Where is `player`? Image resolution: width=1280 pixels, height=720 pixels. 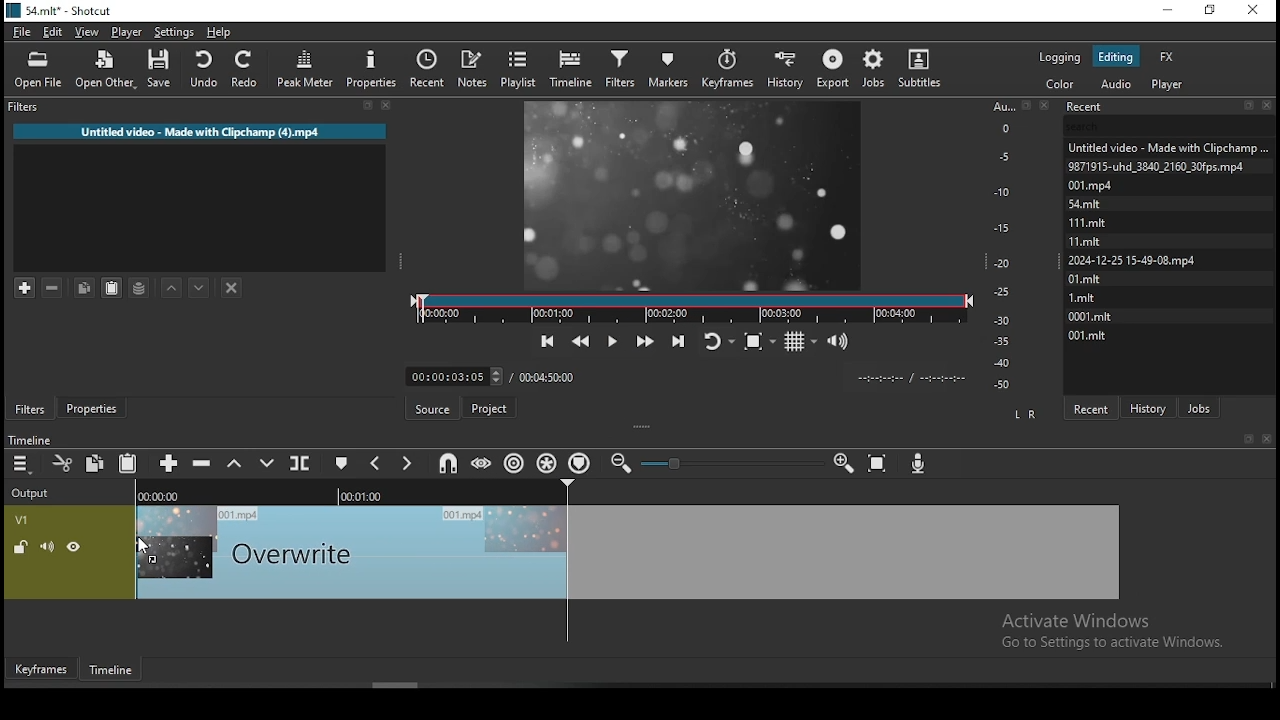 player is located at coordinates (127, 31).